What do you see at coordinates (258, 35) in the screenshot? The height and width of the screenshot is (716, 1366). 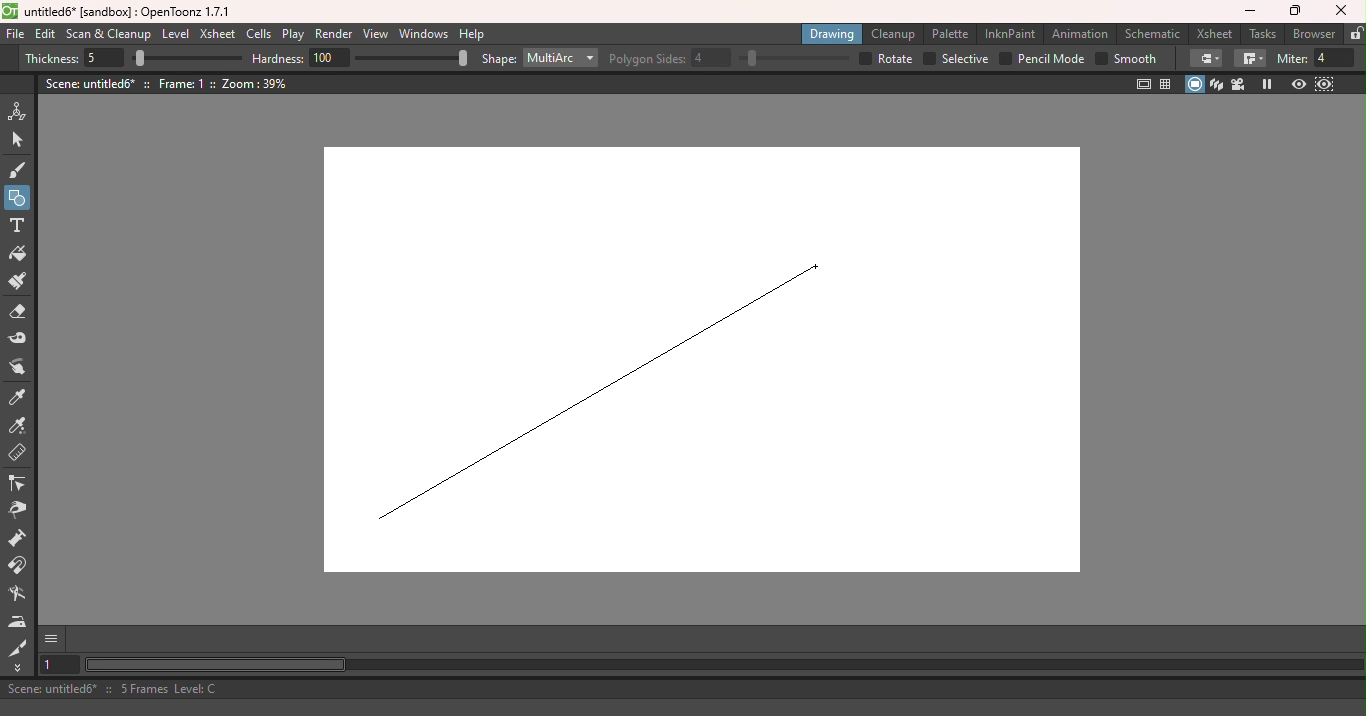 I see `Cells` at bounding box center [258, 35].